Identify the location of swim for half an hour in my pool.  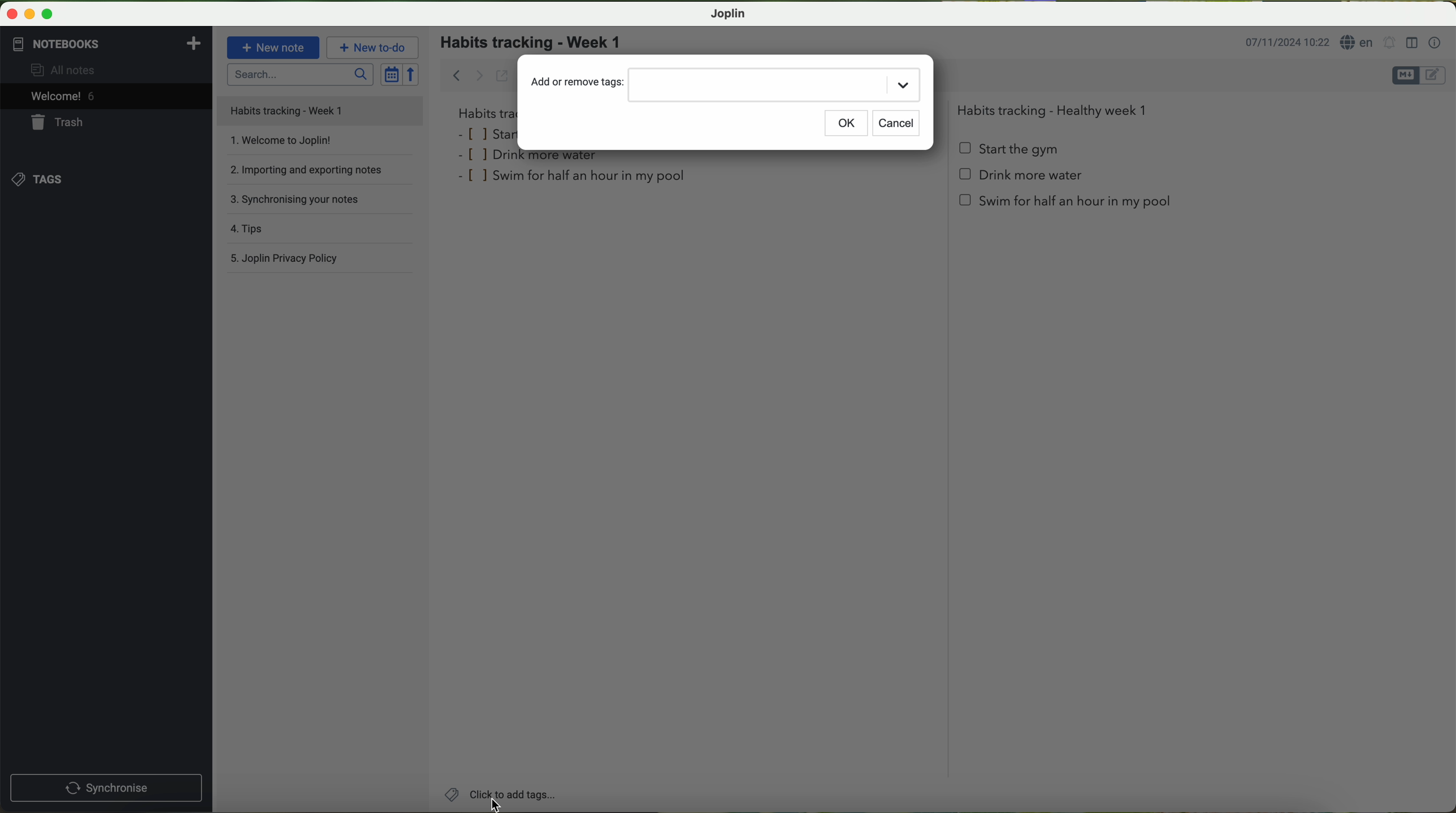
(1067, 205).